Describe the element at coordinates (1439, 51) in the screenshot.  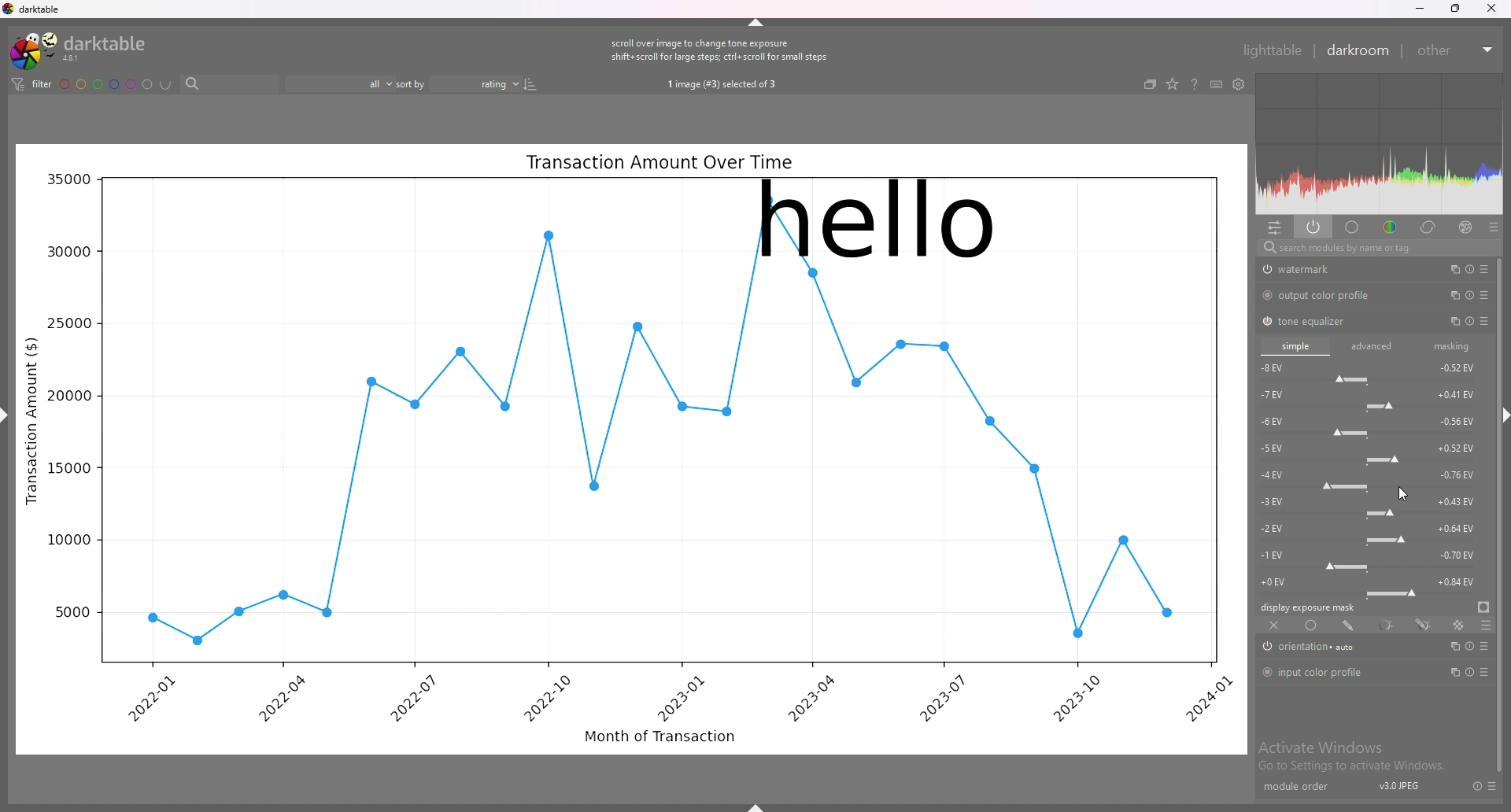
I see `other` at that location.